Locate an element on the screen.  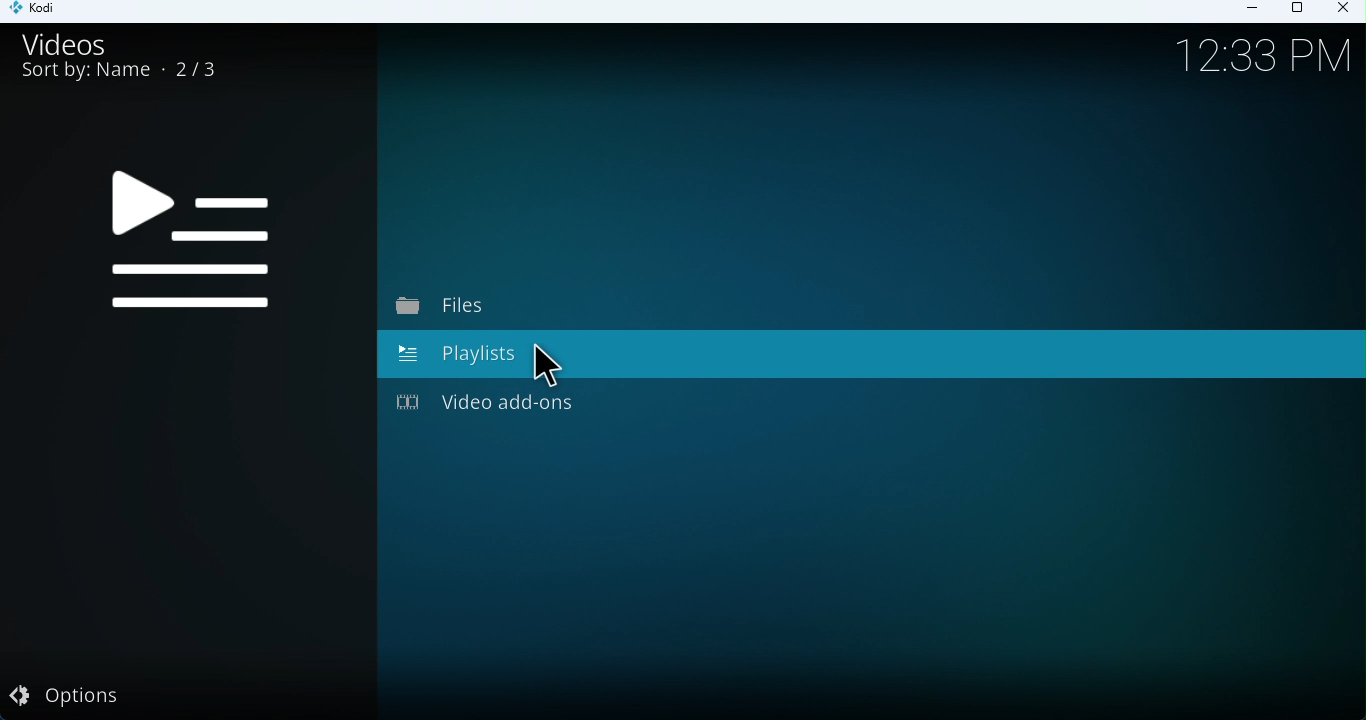
Close is located at coordinates (1346, 12).